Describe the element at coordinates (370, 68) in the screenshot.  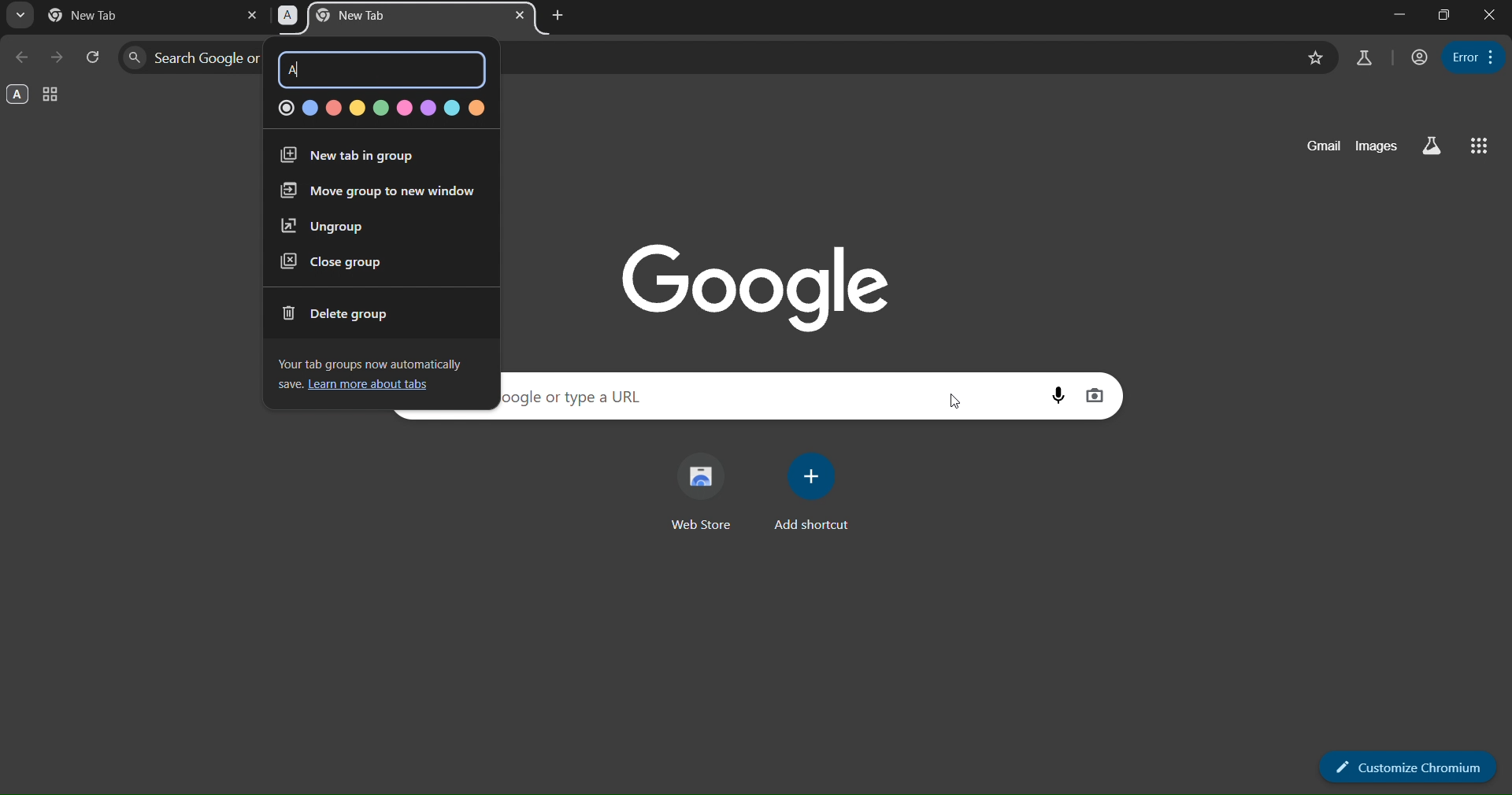
I see `A` at that location.